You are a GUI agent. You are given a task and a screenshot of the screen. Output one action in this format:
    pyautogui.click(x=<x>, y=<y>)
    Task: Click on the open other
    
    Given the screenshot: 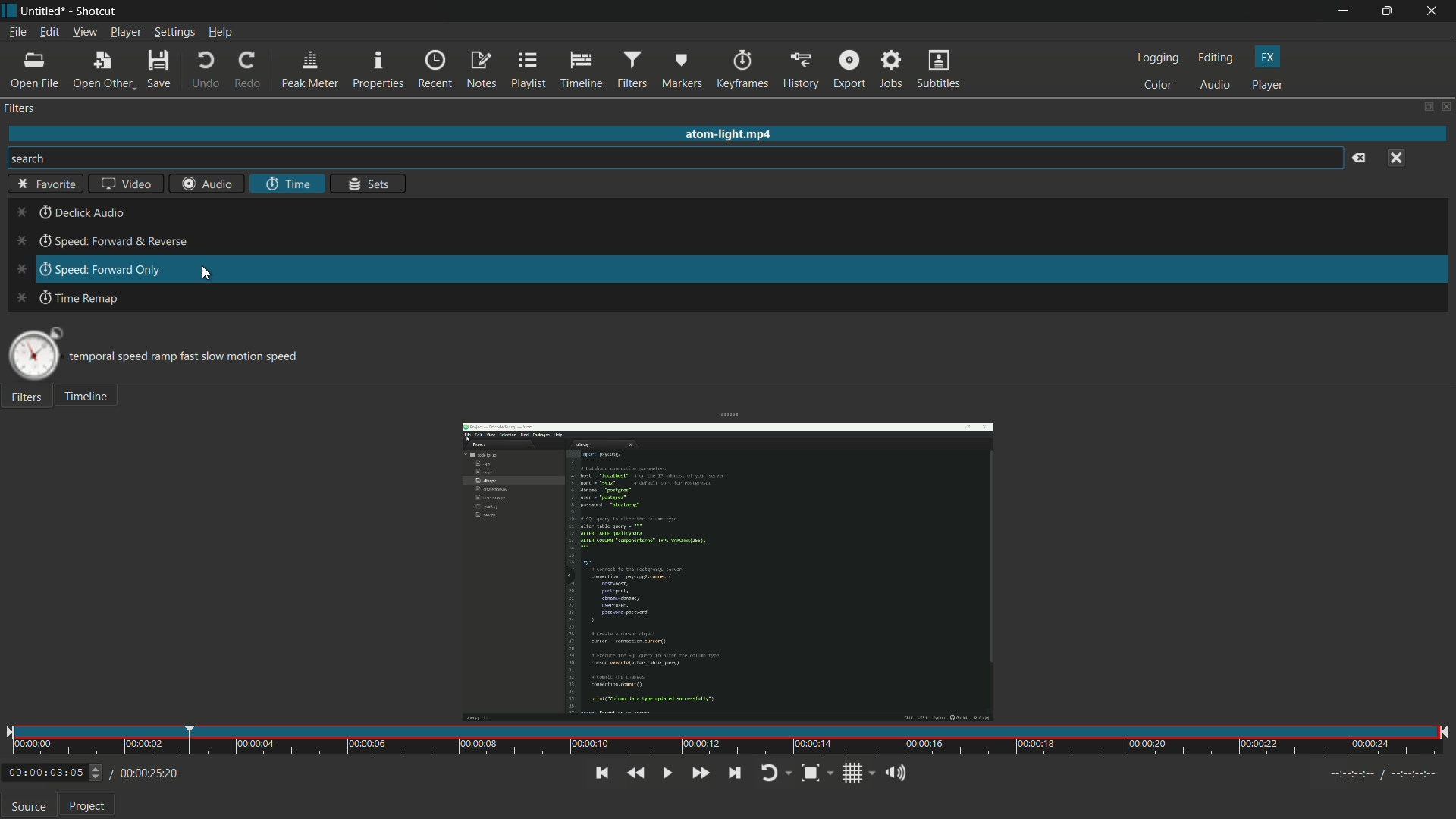 What is the action you would take?
    pyautogui.click(x=102, y=71)
    